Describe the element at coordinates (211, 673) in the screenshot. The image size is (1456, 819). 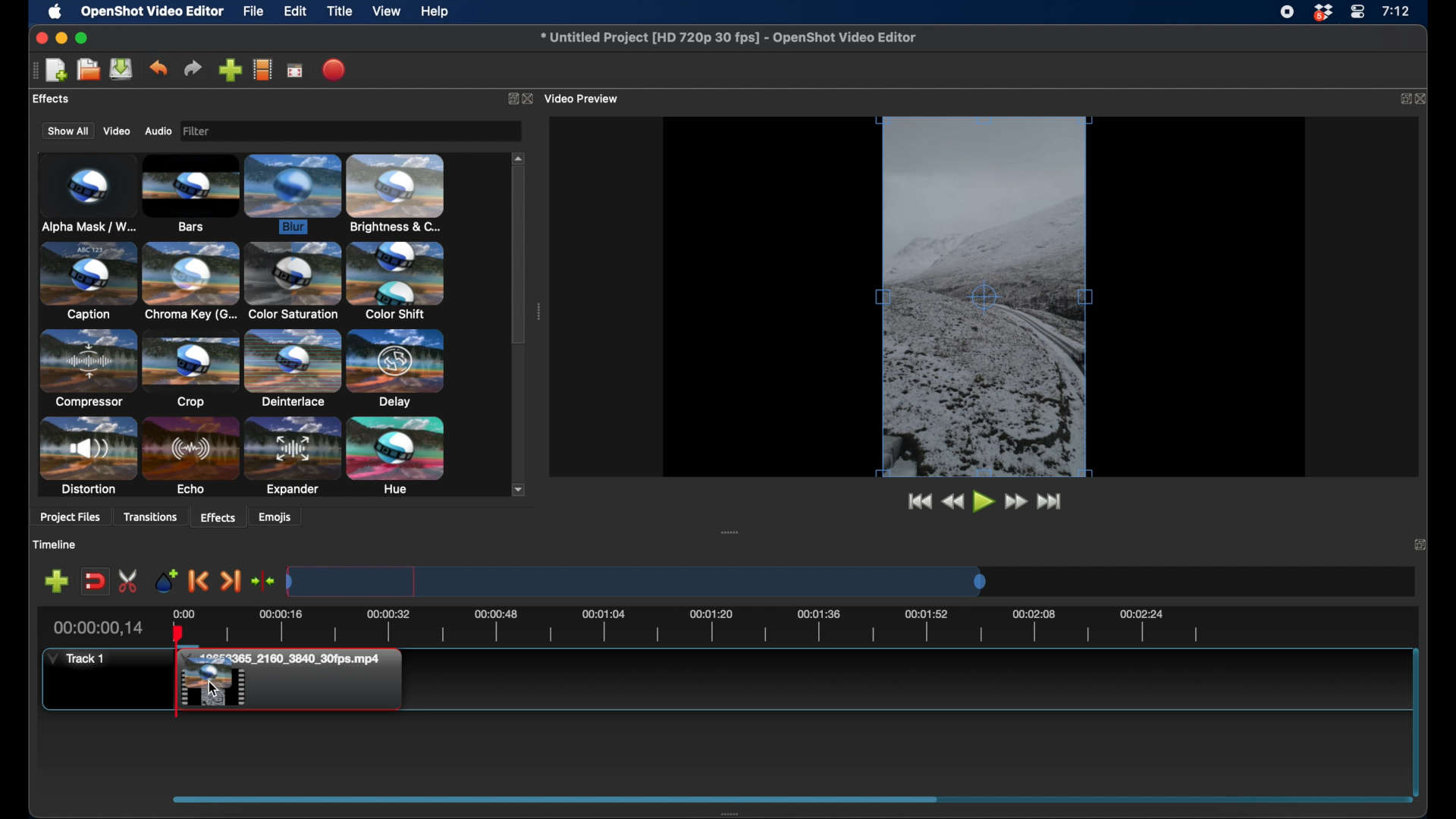
I see `Preview if effect dragged by cursor` at that location.